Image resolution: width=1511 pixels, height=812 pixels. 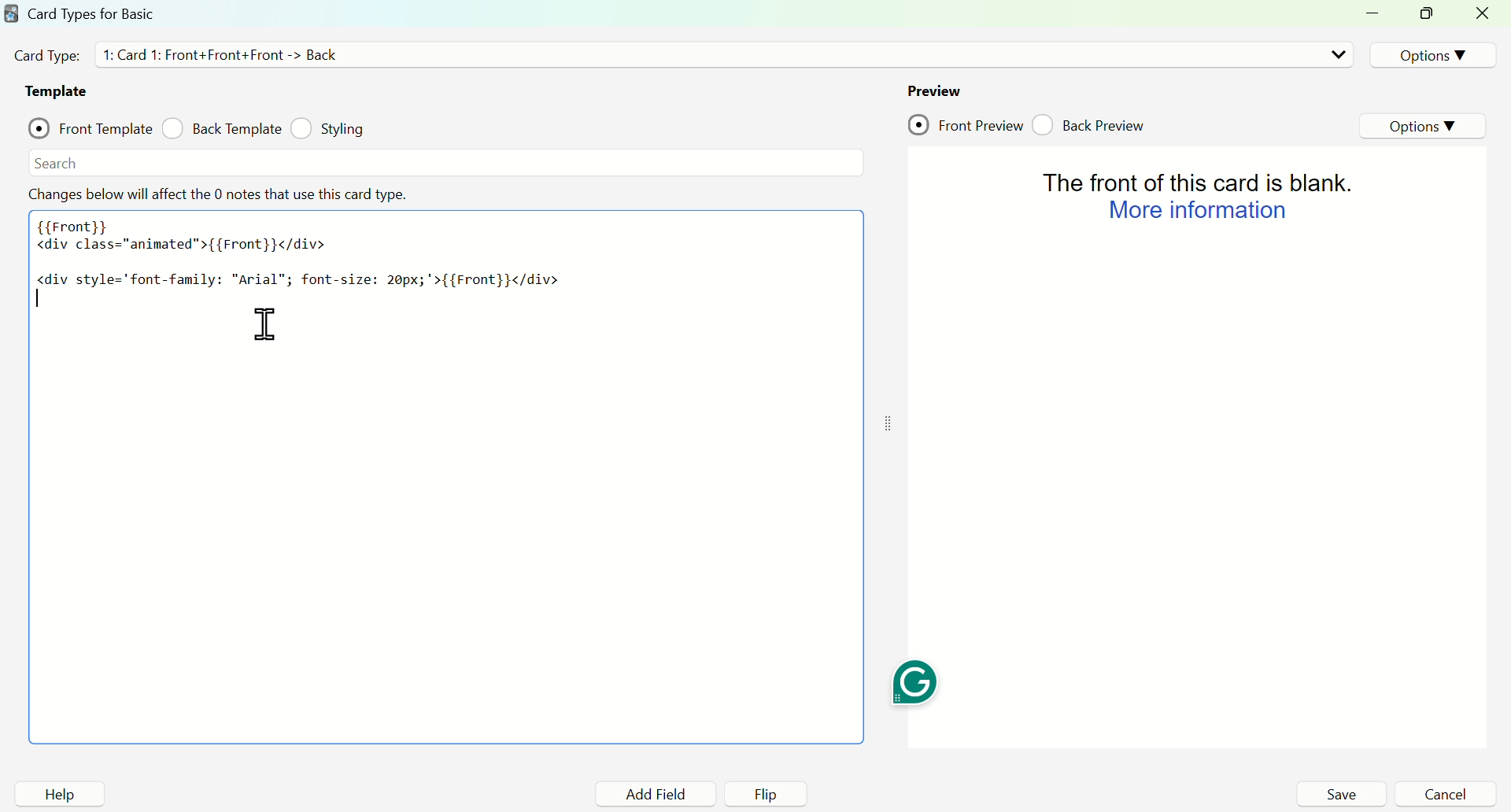 I want to click on The front of this card is blank, so click(x=1189, y=179).